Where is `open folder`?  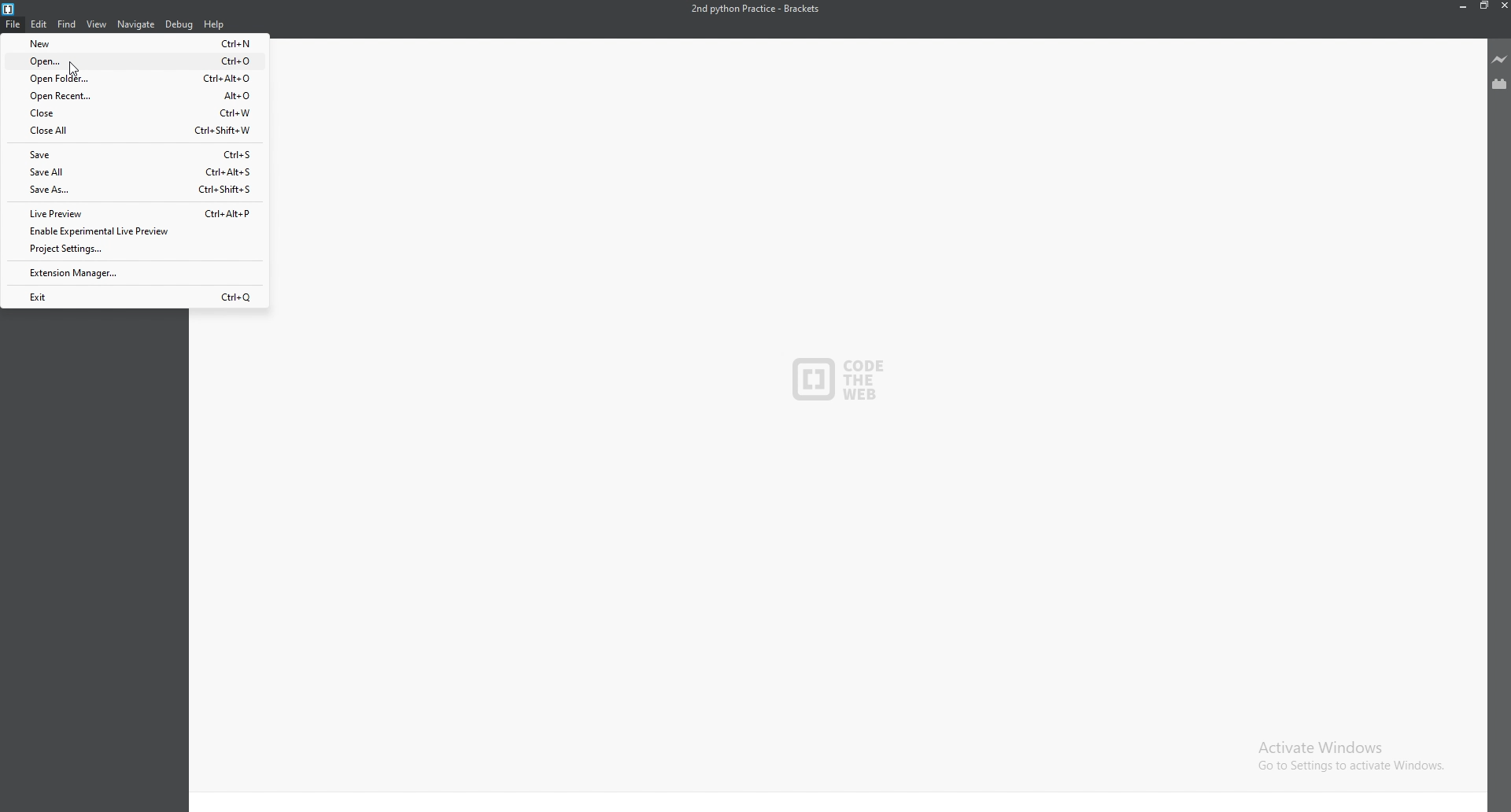
open folder is located at coordinates (134, 79).